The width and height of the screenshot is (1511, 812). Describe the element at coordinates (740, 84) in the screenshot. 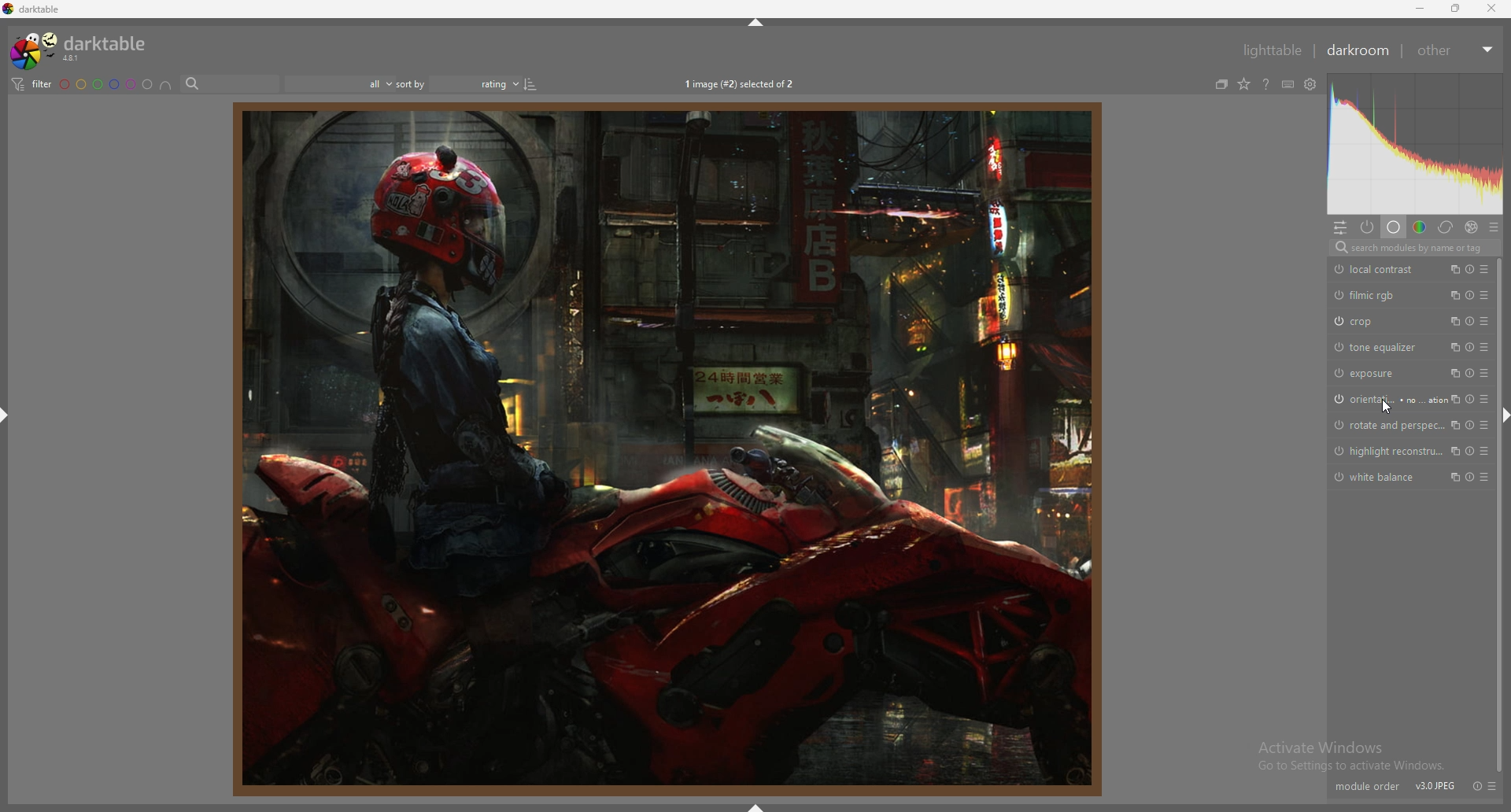

I see `images selected` at that location.